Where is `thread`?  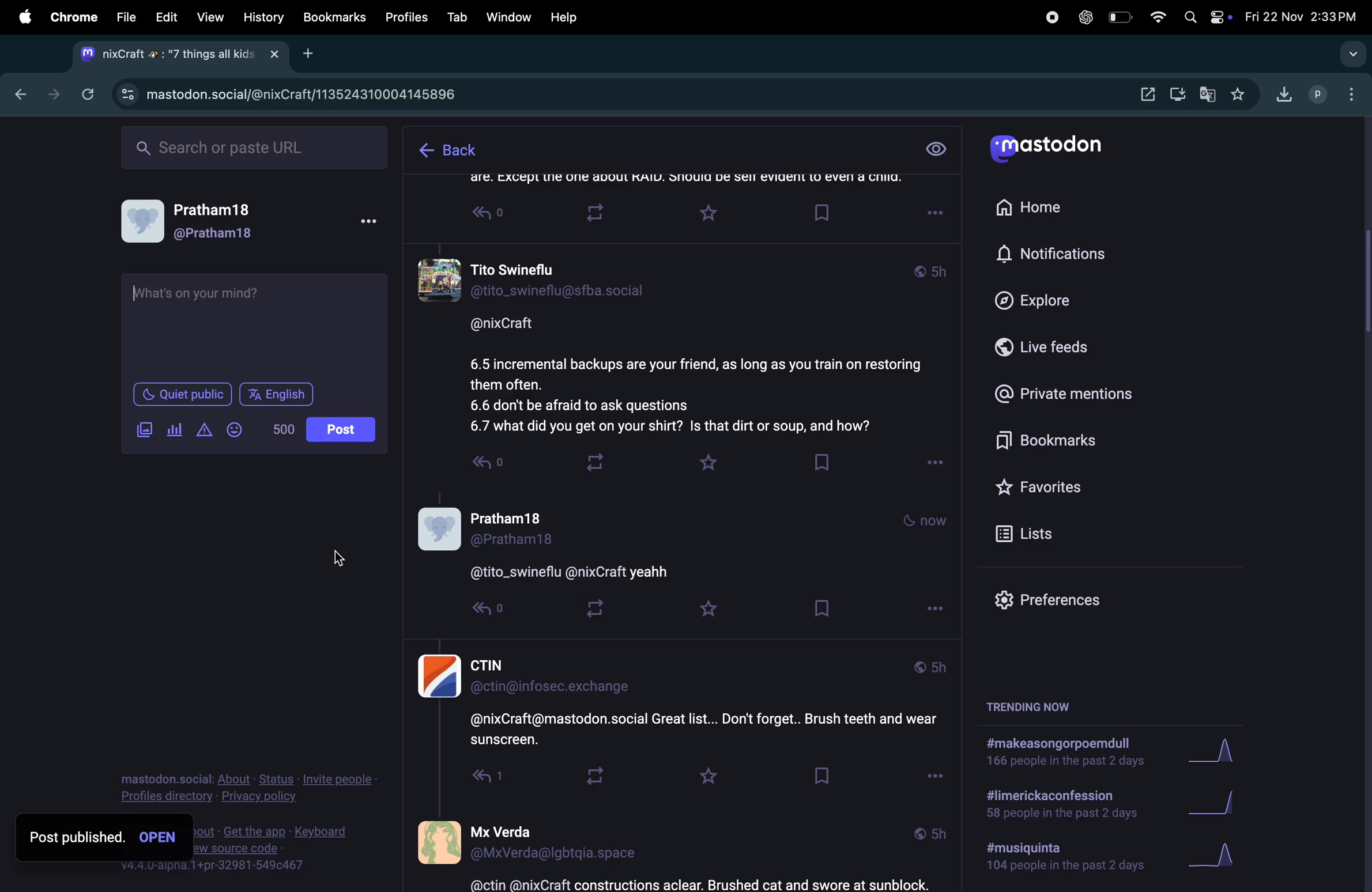 thread is located at coordinates (682, 185).